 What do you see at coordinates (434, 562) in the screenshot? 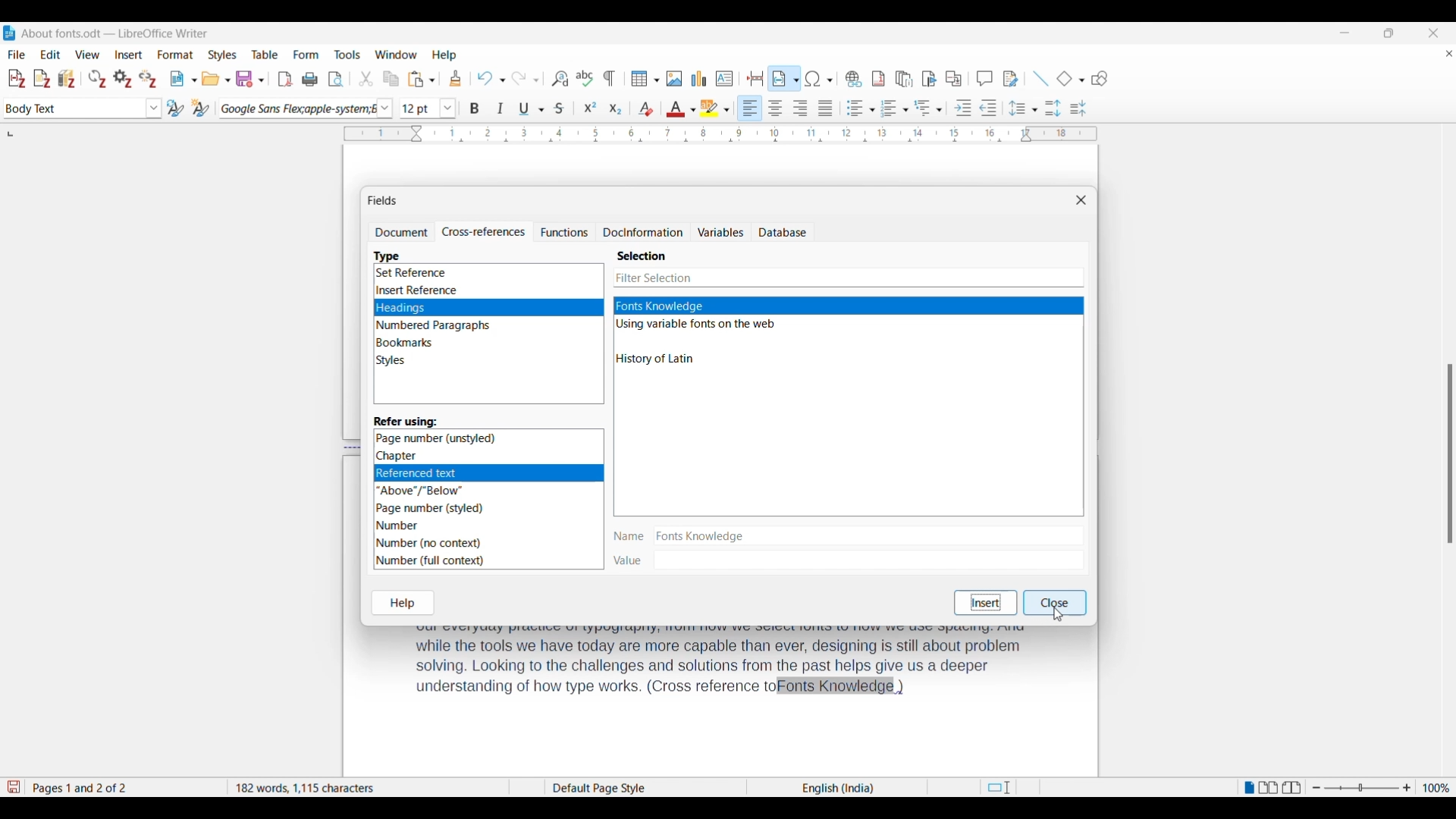
I see `Number (full context)` at bounding box center [434, 562].